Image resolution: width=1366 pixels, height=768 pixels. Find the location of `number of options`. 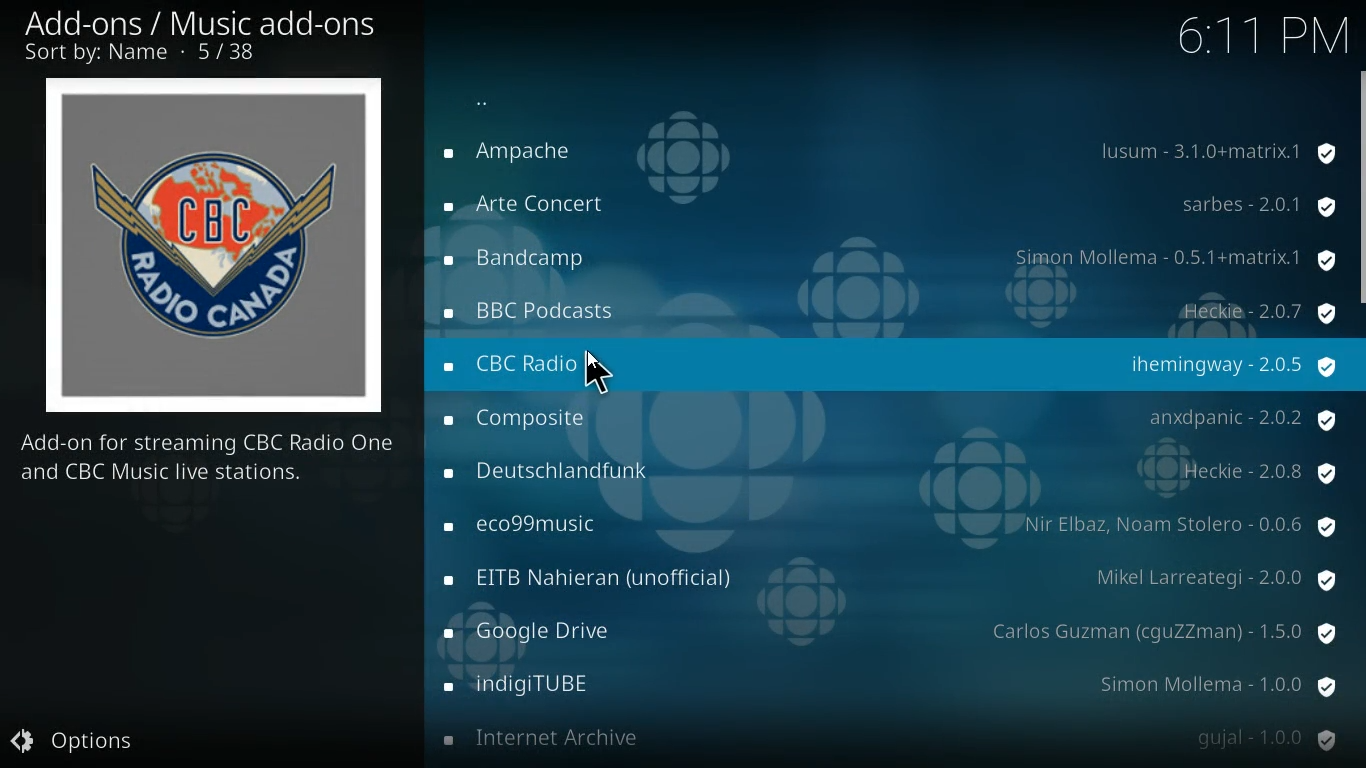

number of options is located at coordinates (236, 54).